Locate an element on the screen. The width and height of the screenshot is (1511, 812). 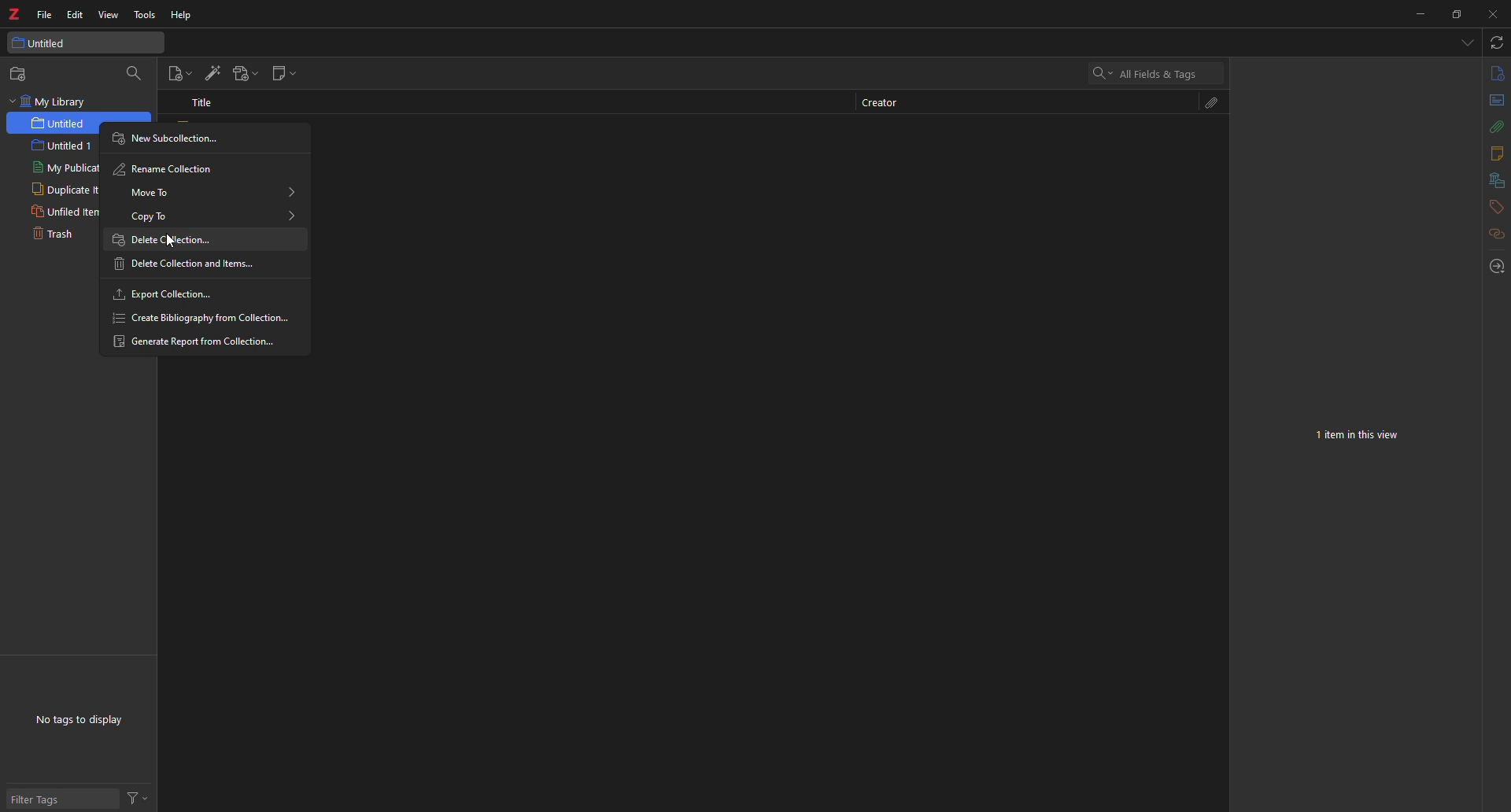
new note is located at coordinates (285, 73).